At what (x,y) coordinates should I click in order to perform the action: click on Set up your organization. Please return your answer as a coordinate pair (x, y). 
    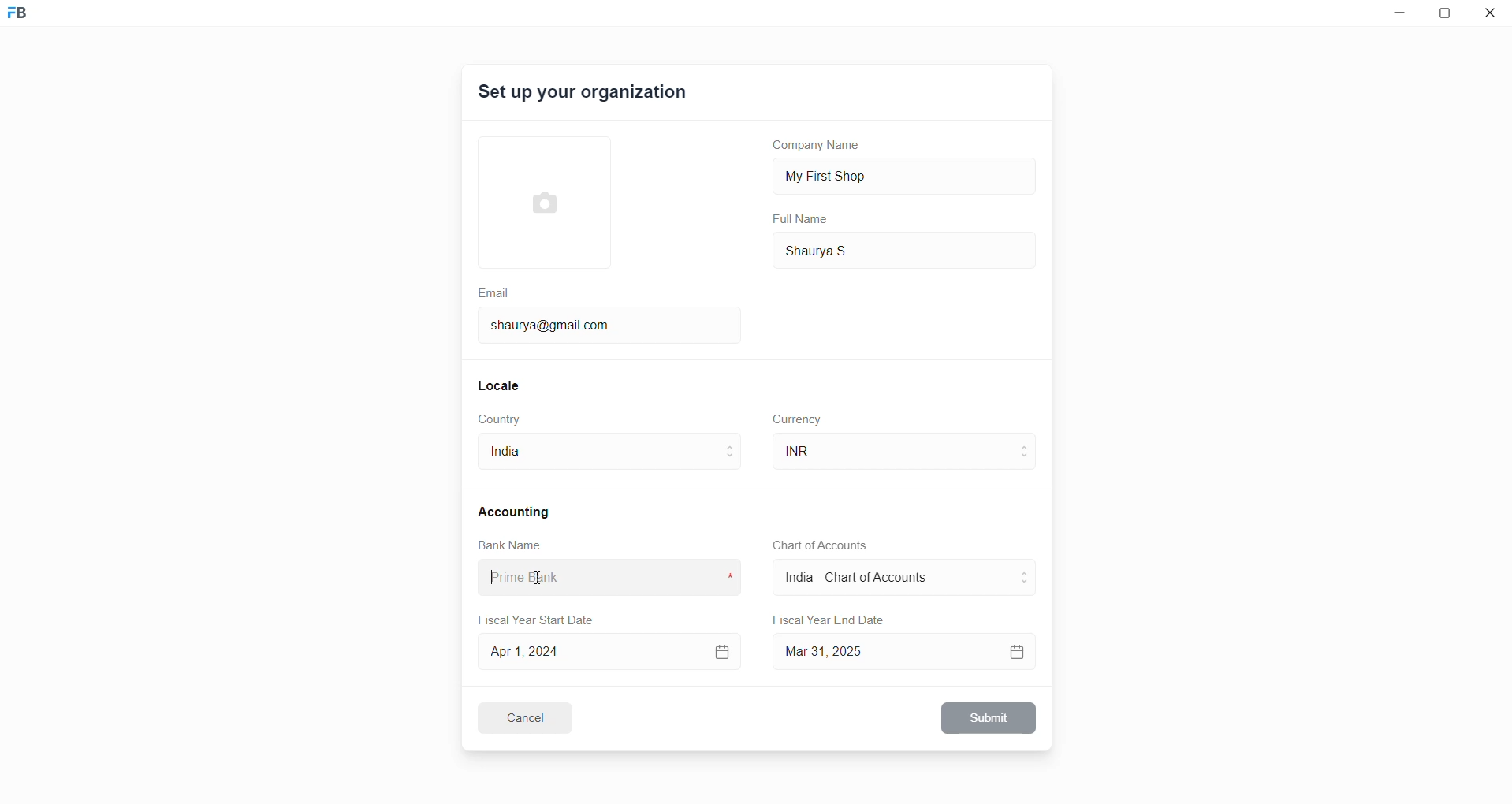
    Looking at the image, I should click on (584, 95).